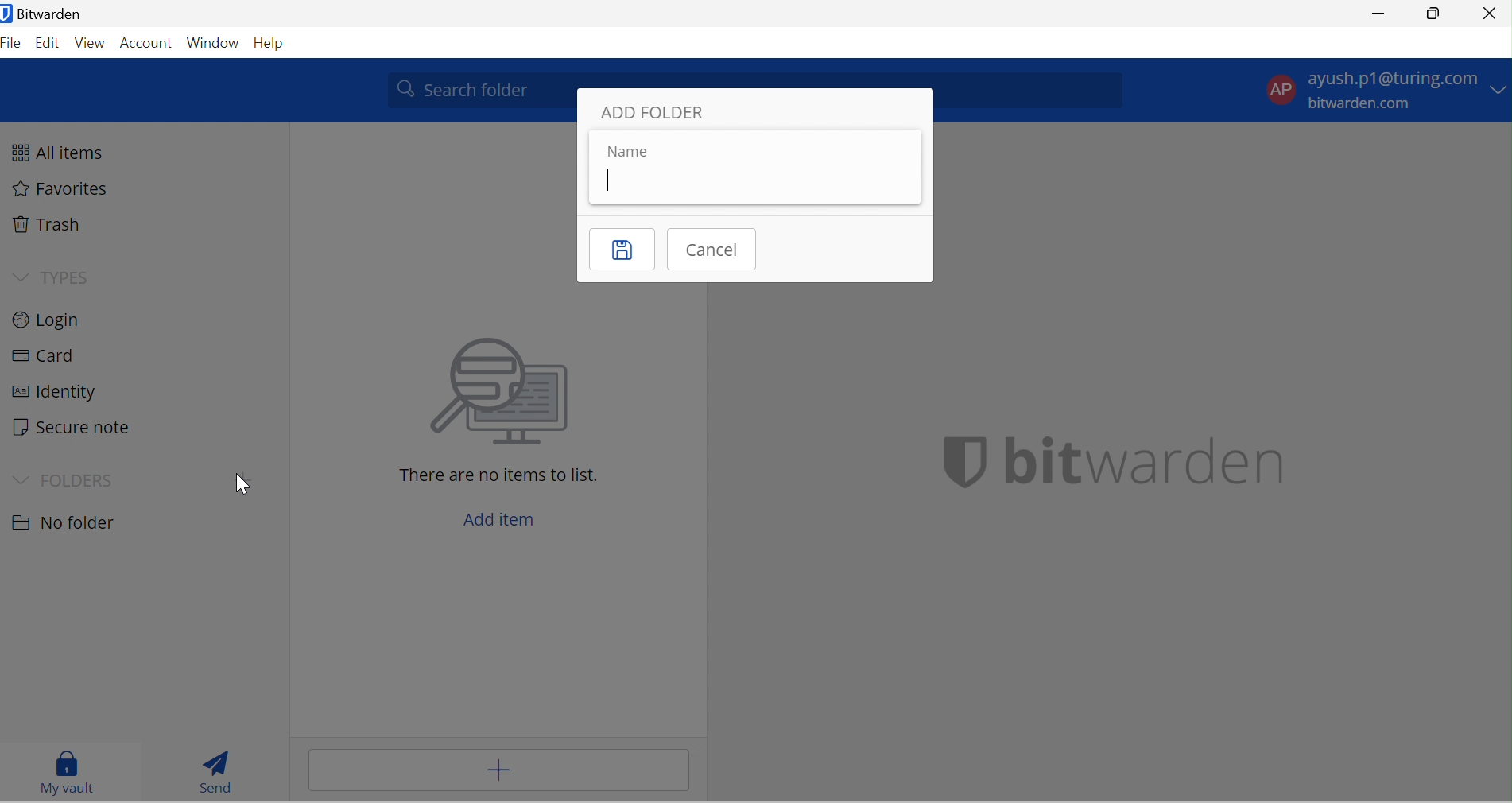  Describe the element at coordinates (79, 479) in the screenshot. I see `FOLDERS` at that location.